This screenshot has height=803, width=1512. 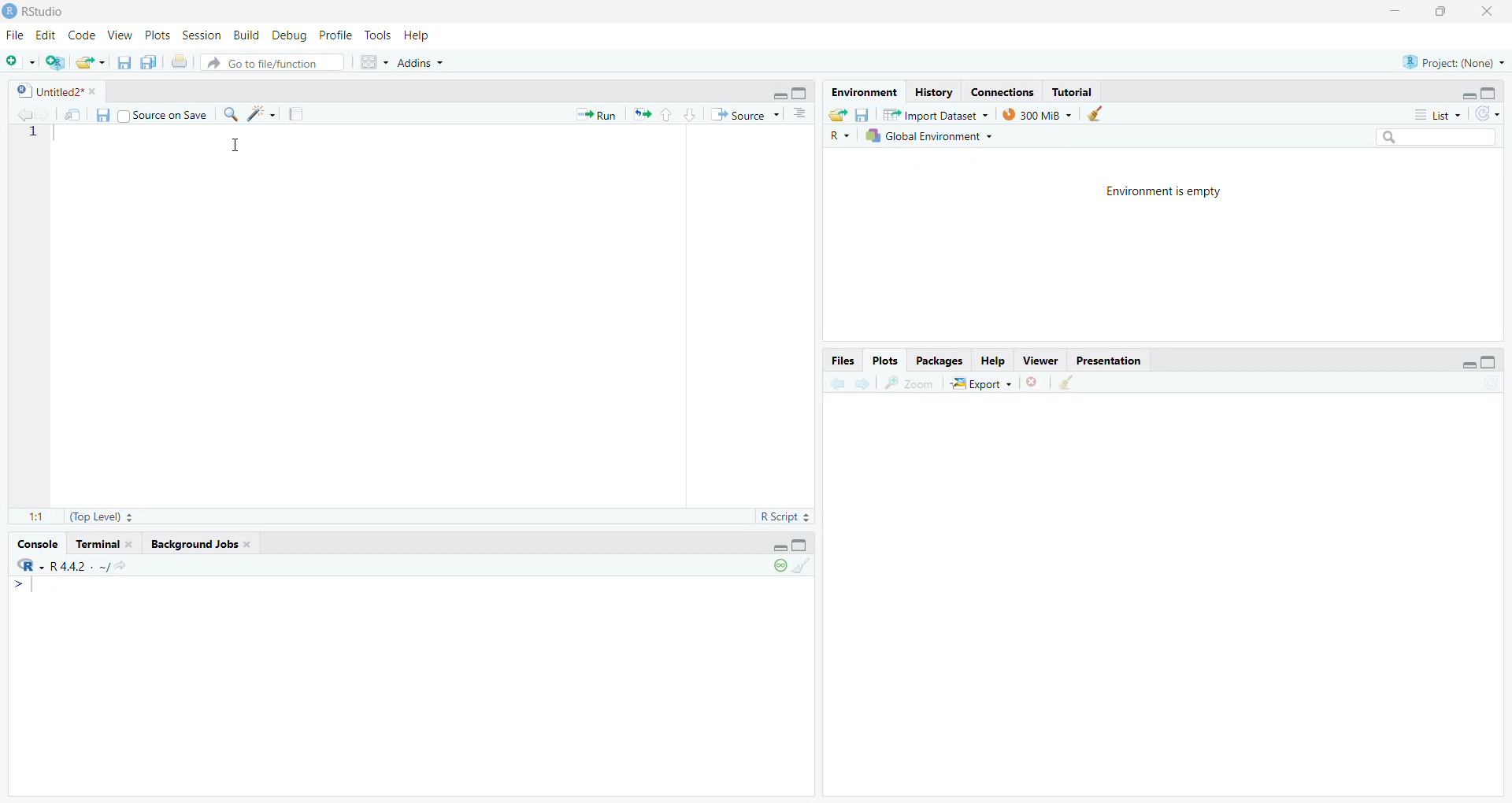 What do you see at coordinates (34, 519) in the screenshot?
I see `1:1` at bounding box center [34, 519].